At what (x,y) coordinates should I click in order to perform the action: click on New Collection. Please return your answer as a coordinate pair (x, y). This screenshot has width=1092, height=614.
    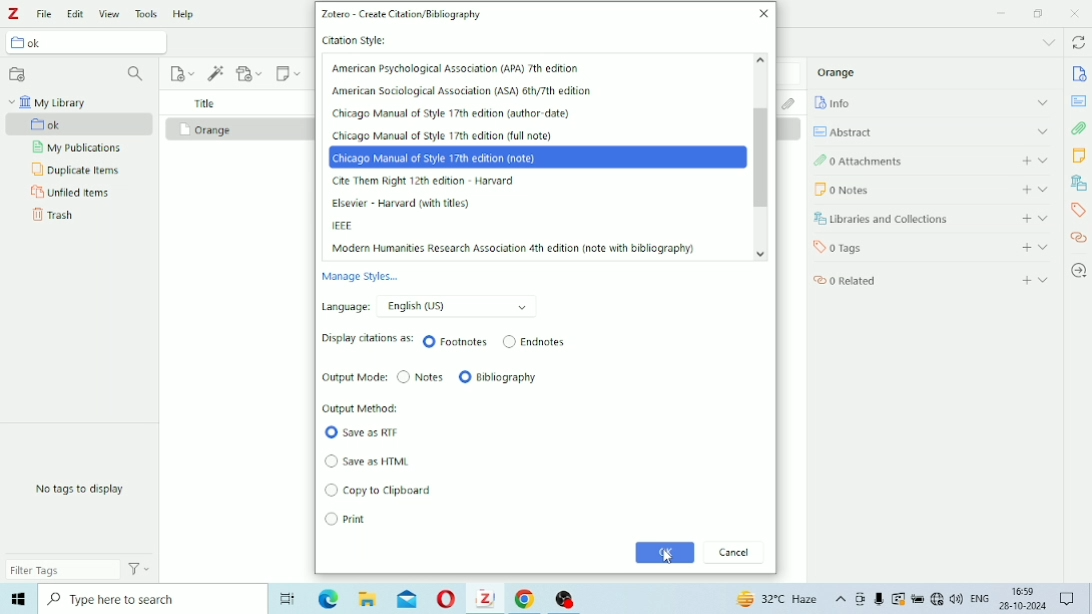
    Looking at the image, I should click on (18, 75).